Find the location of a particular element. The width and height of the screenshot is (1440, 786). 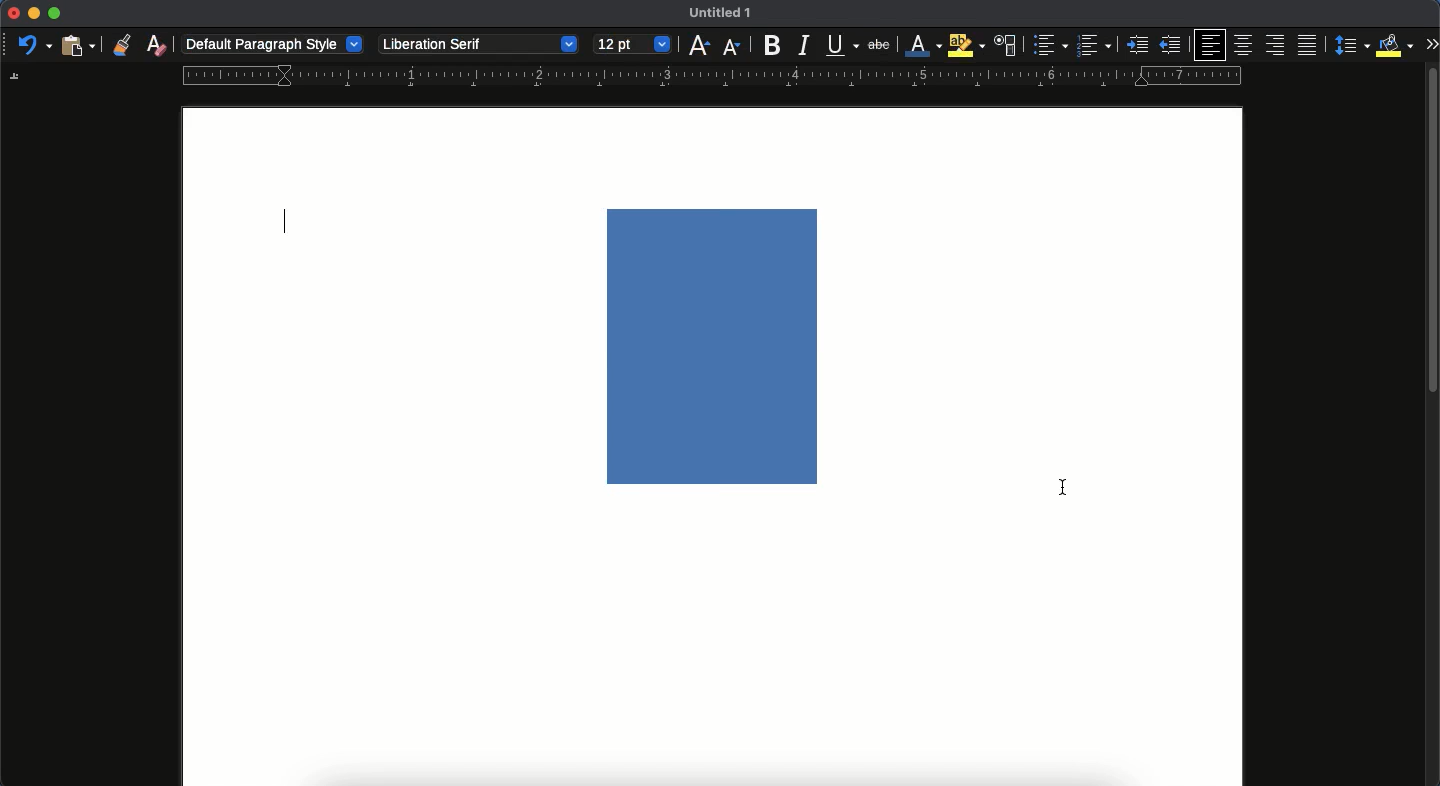

unindented is located at coordinates (1172, 45).